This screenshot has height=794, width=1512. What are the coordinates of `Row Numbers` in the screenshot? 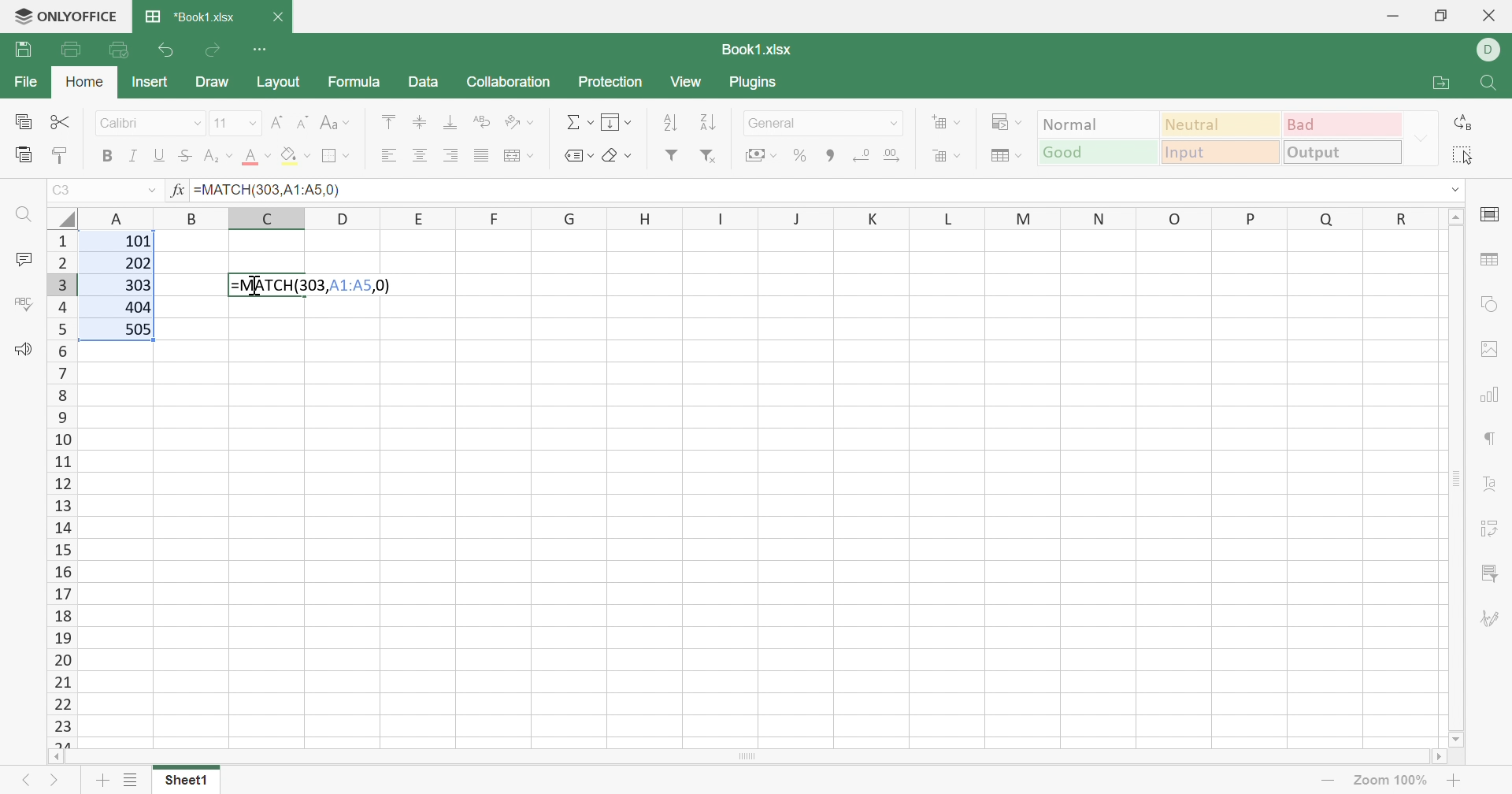 It's located at (59, 488).